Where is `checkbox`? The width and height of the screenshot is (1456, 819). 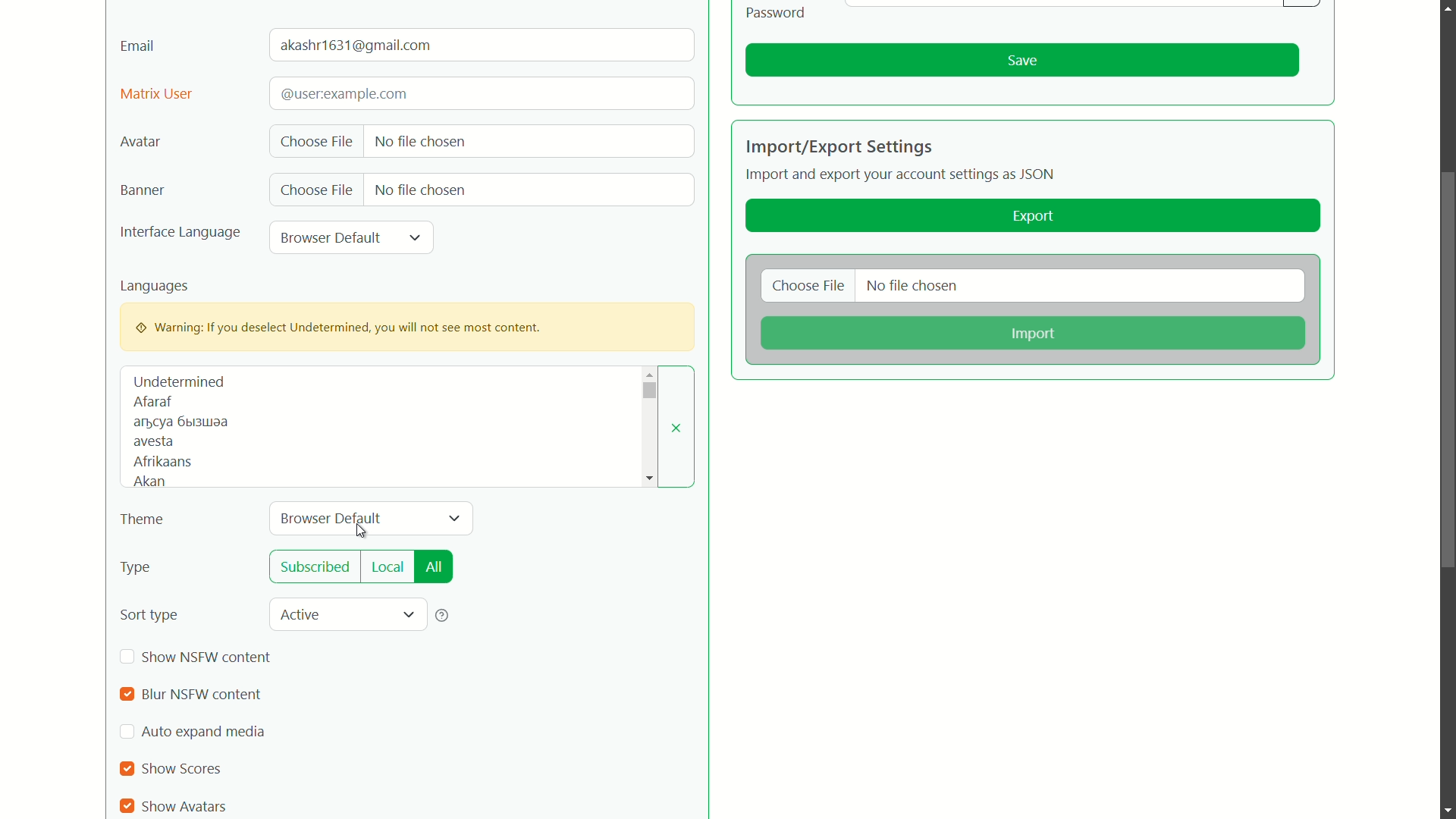 checkbox is located at coordinates (126, 806).